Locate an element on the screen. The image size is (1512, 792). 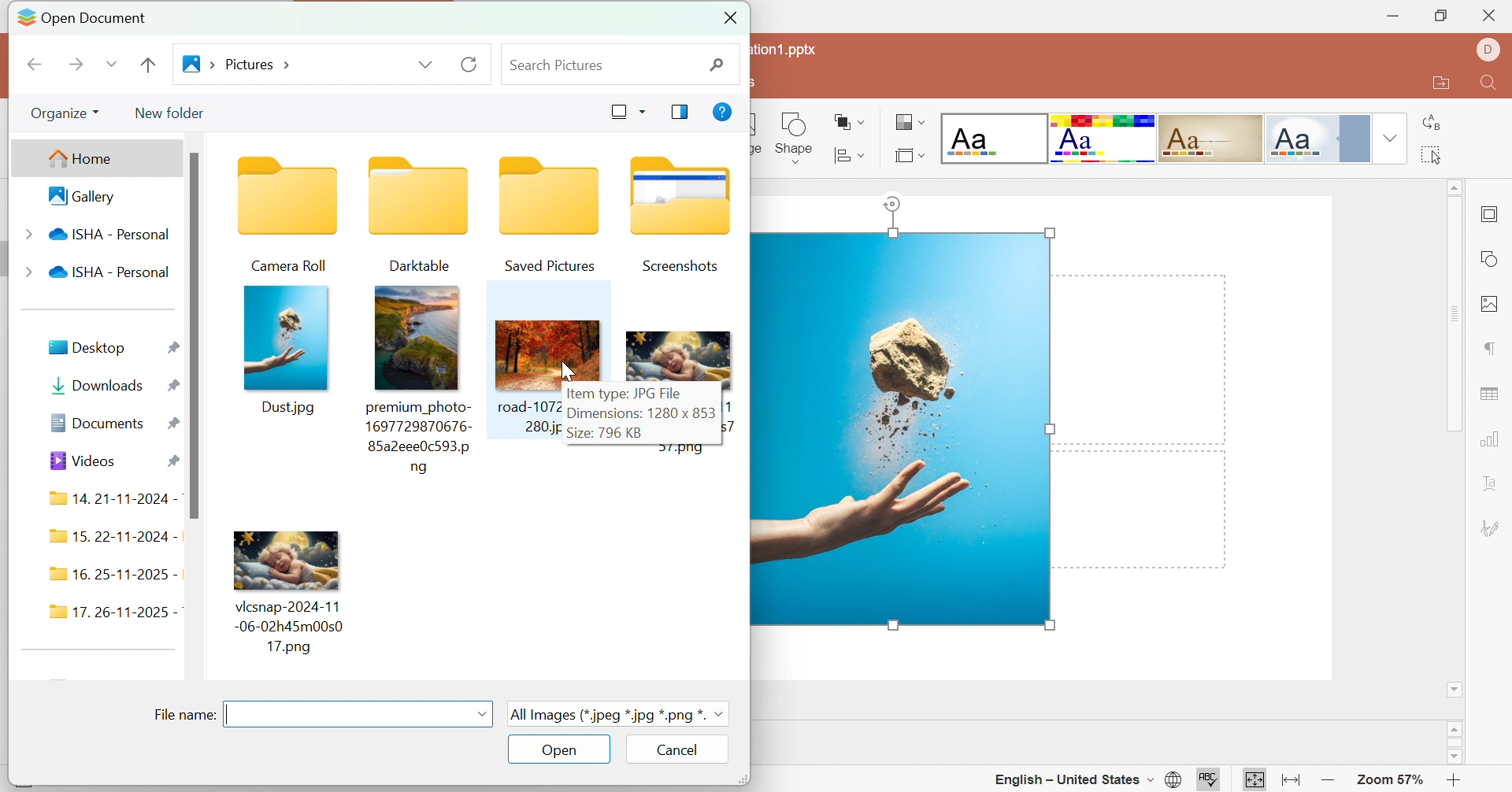
All images (*.jpeg *.jpg *.png) is located at coordinates (619, 712).